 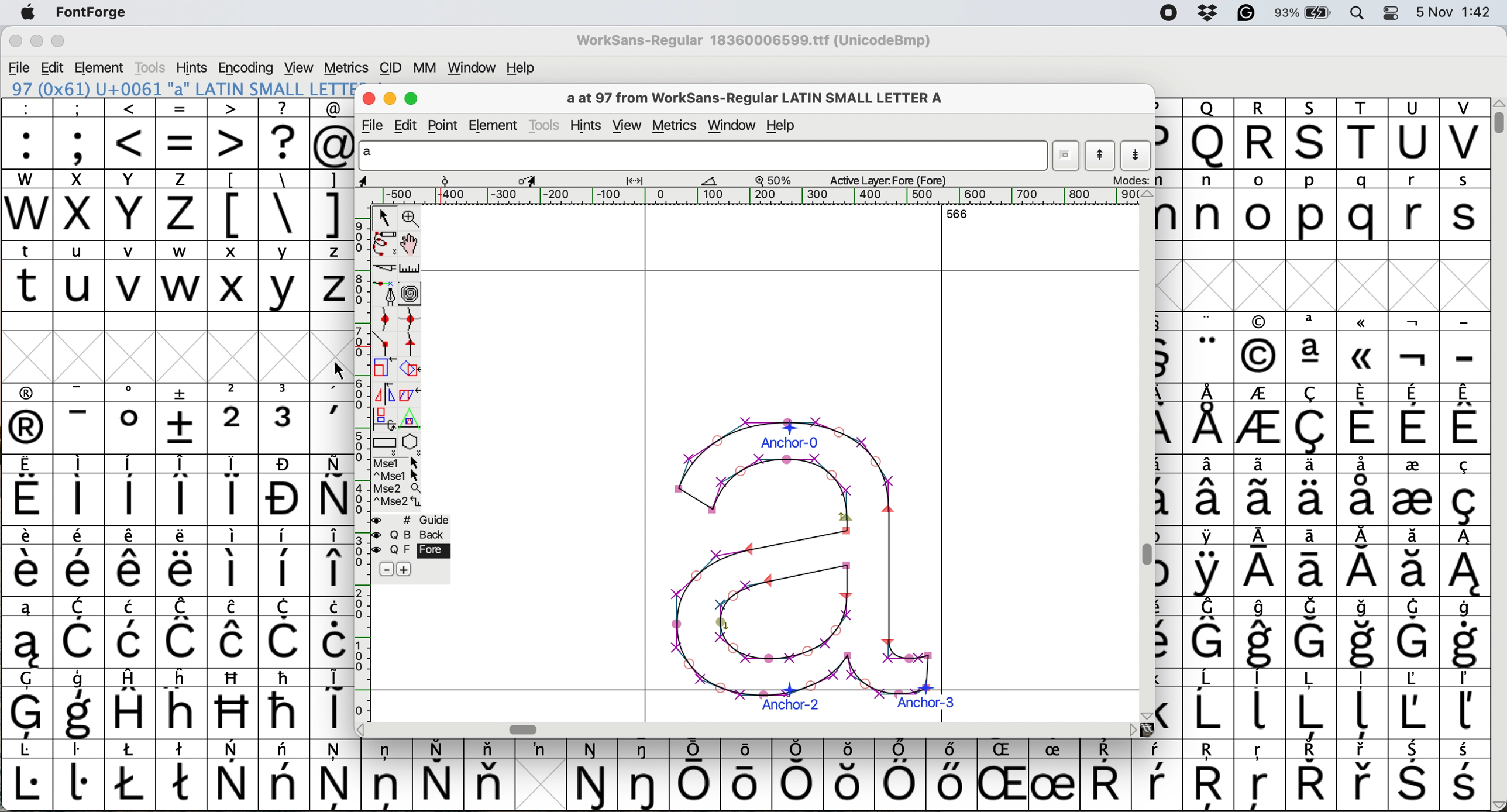 What do you see at coordinates (233, 560) in the screenshot?
I see `symbol` at bounding box center [233, 560].